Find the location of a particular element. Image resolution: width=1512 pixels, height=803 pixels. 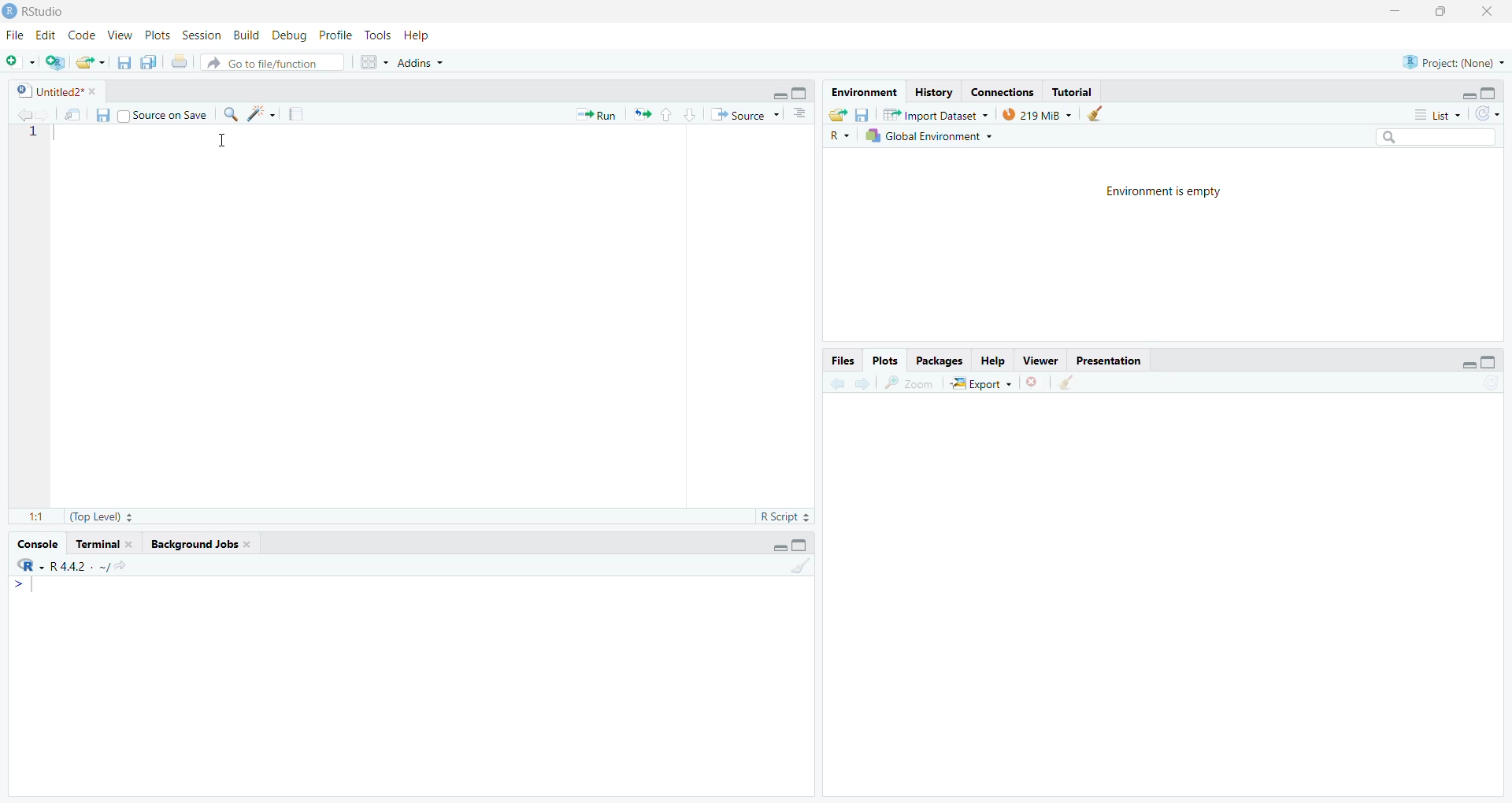

Session is located at coordinates (202, 35).